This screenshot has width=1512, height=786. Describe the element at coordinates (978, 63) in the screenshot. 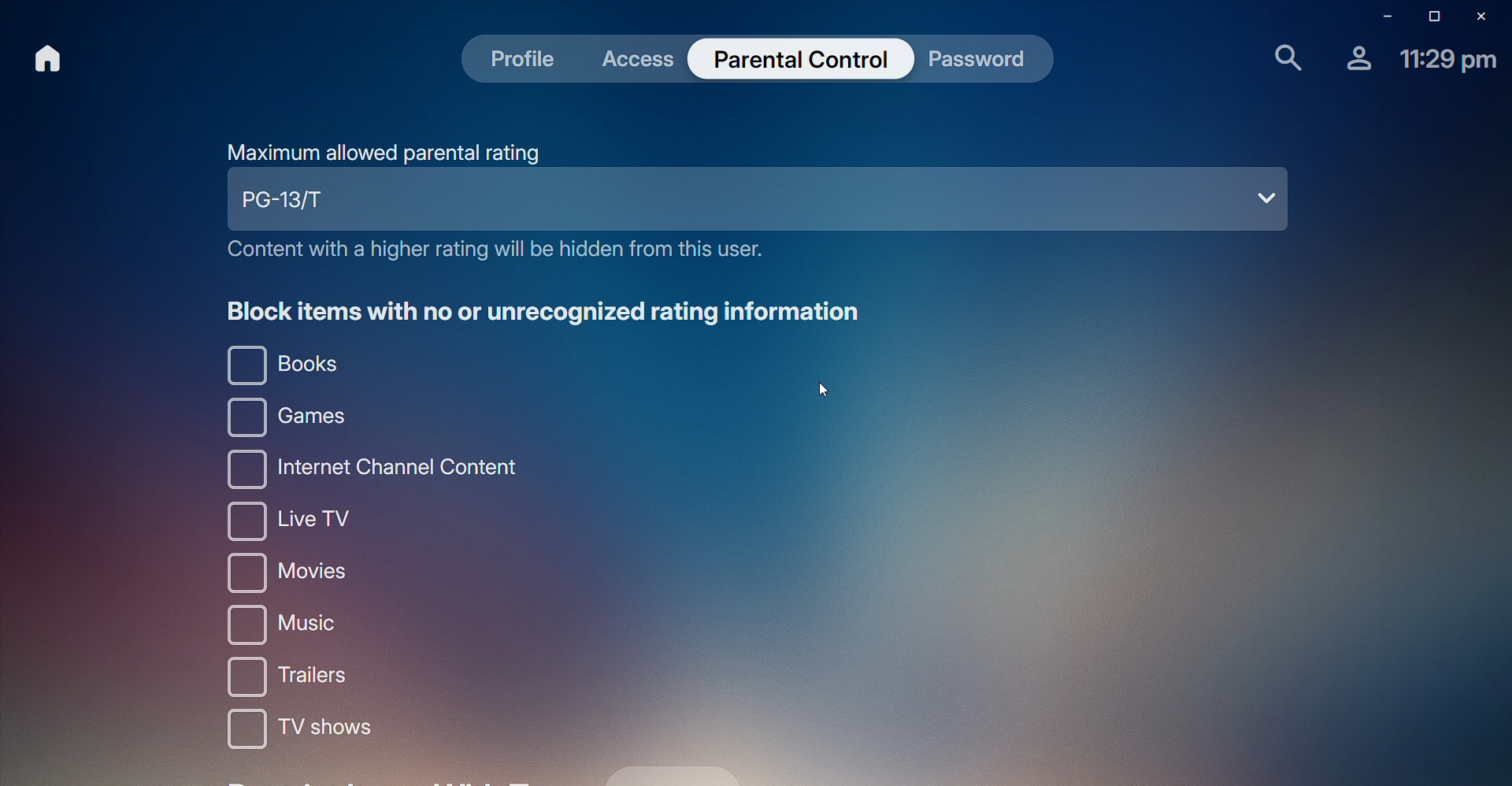

I see `Password` at that location.